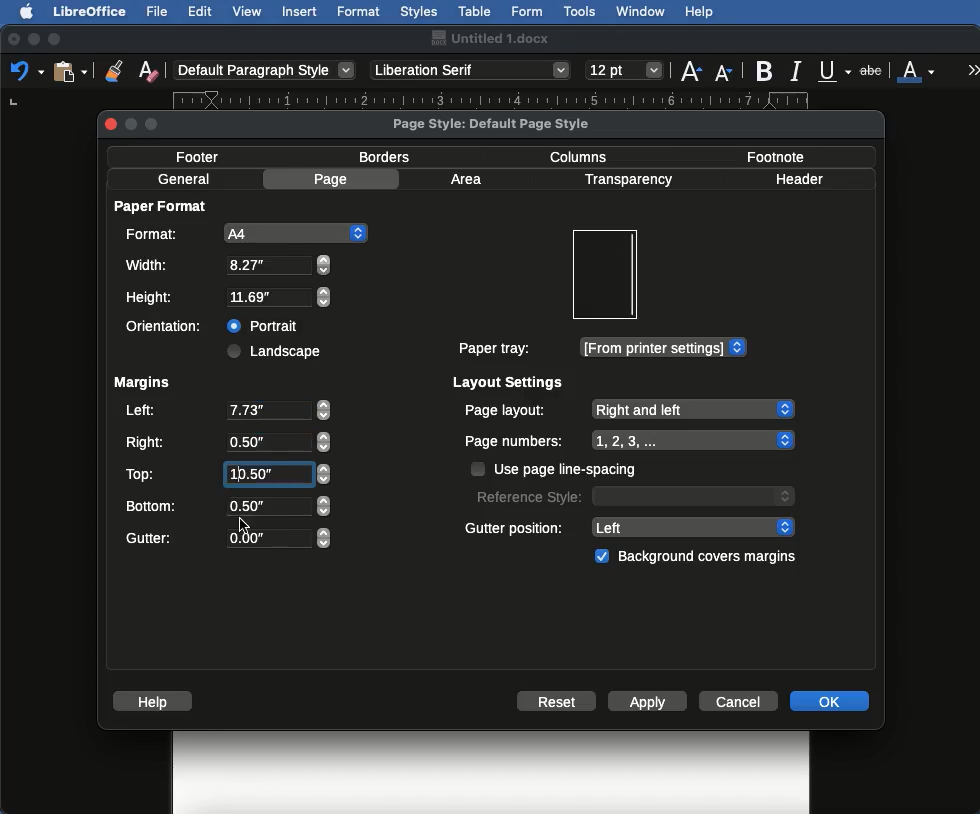 This screenshot has width=980, height=814. What do you see at coordinates (16, 106) in the screenshot?
I see `left tab` at bounding box center [16, 106].